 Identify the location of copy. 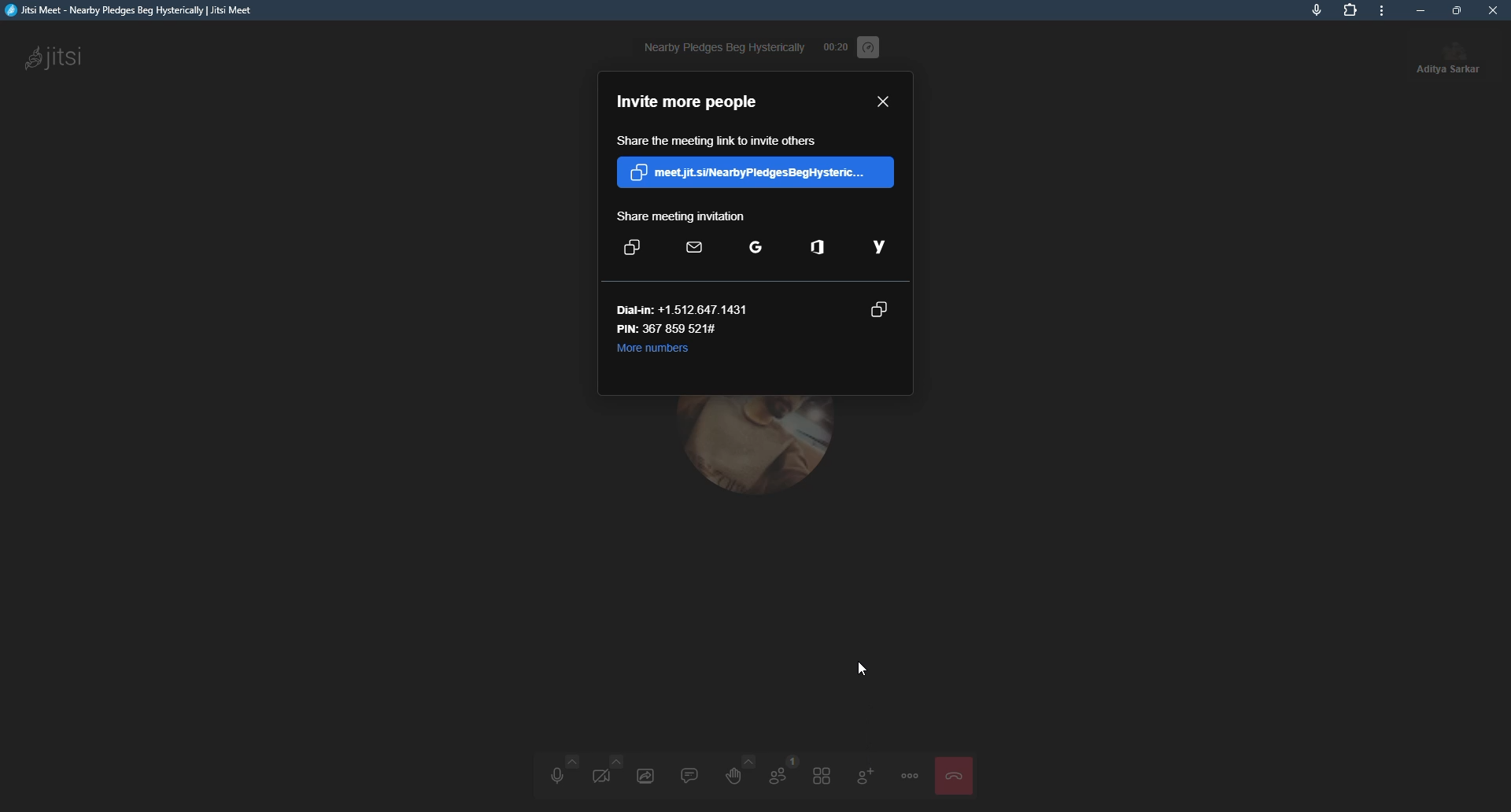
(880, 312).